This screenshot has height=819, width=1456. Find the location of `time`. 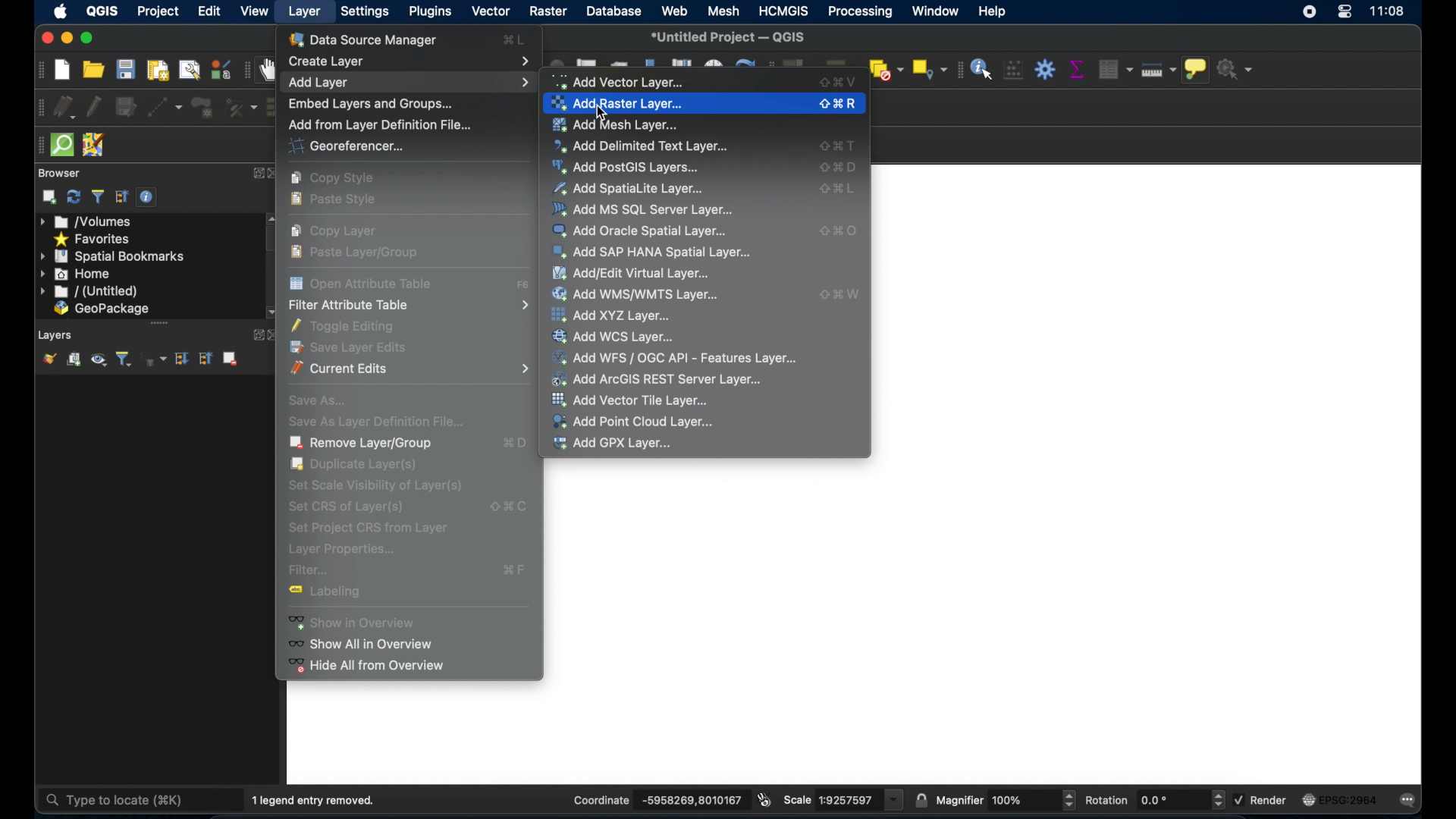

time is located at coordinates (1389, 13).